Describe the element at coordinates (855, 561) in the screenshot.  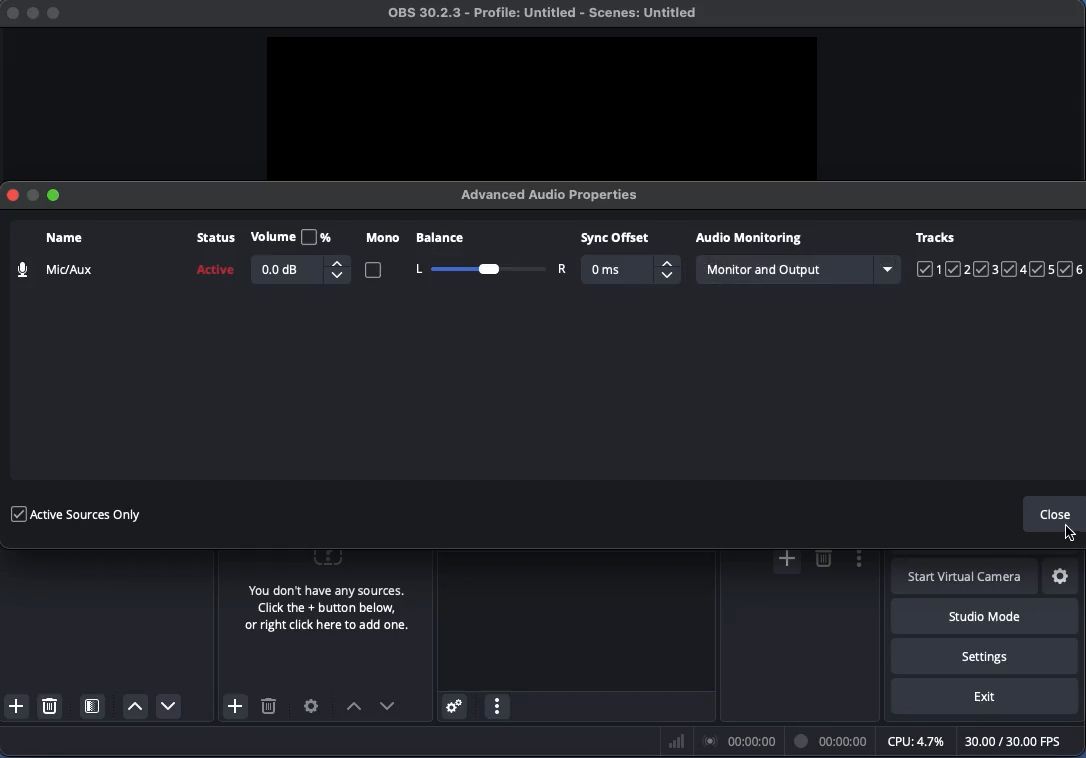
I see `options` at that location.